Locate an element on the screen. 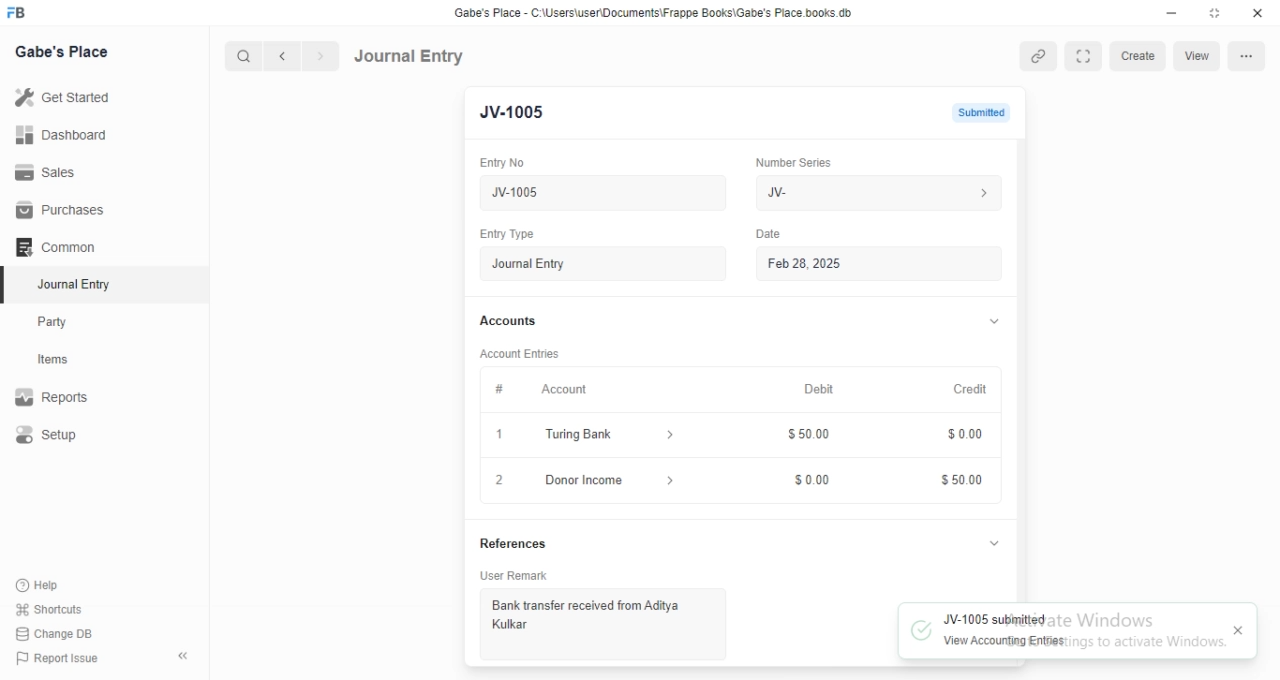 The image size is (1280, 680). Credit is located at coordinates (970, 389).